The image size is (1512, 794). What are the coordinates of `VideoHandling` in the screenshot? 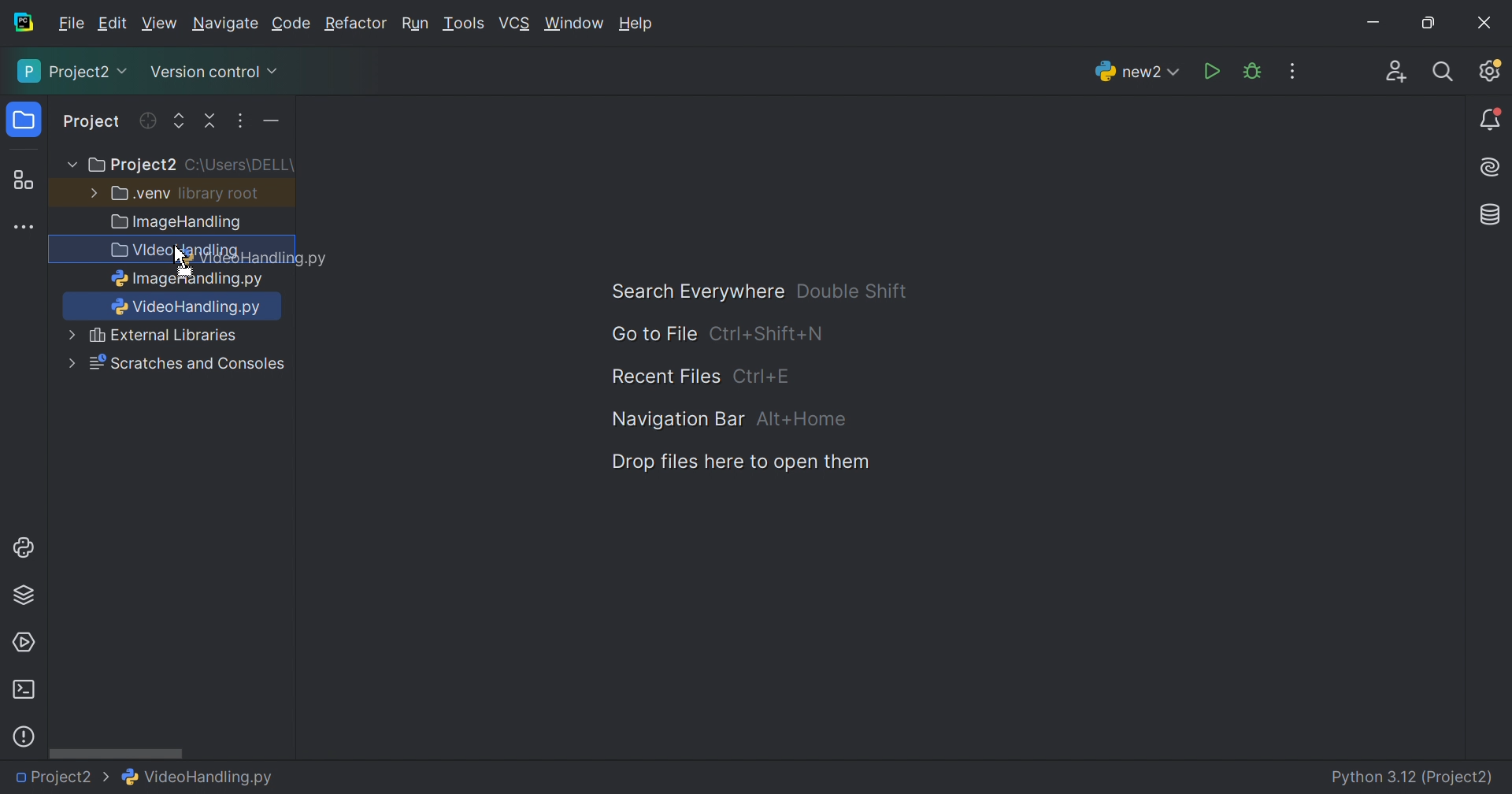 It's located at (172, 251).